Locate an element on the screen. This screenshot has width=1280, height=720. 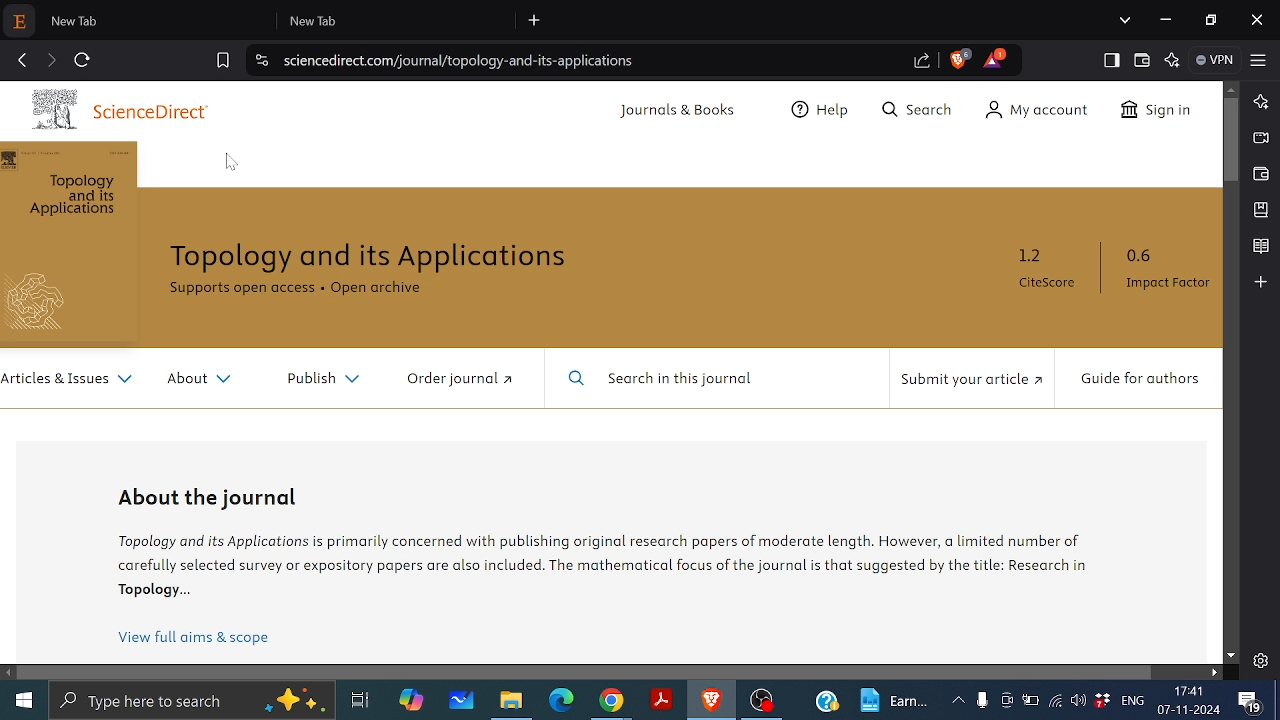
Vertical scroll bar is located at coordinates (1231, 140).